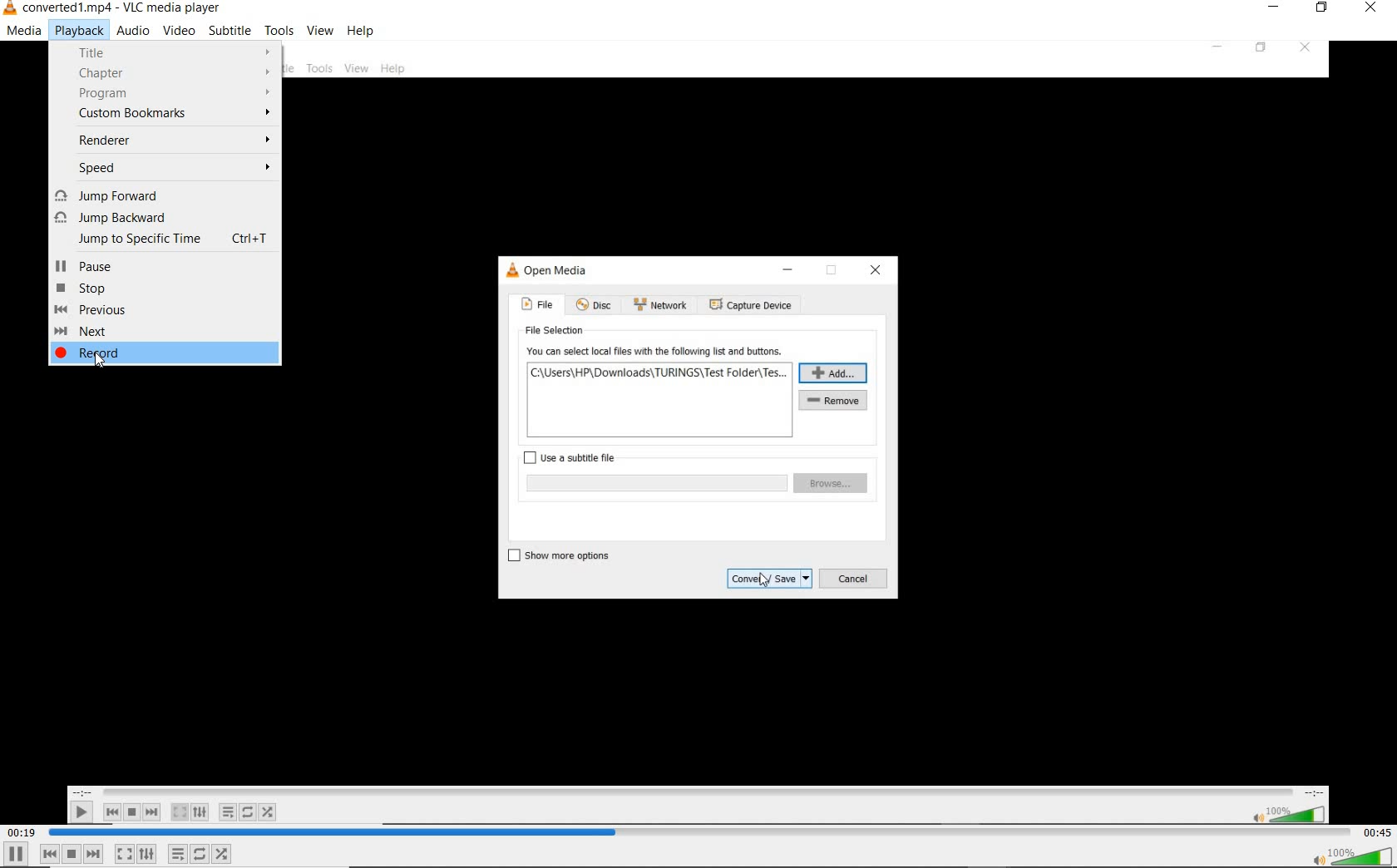  I want to click on previous, so click(96, 310).